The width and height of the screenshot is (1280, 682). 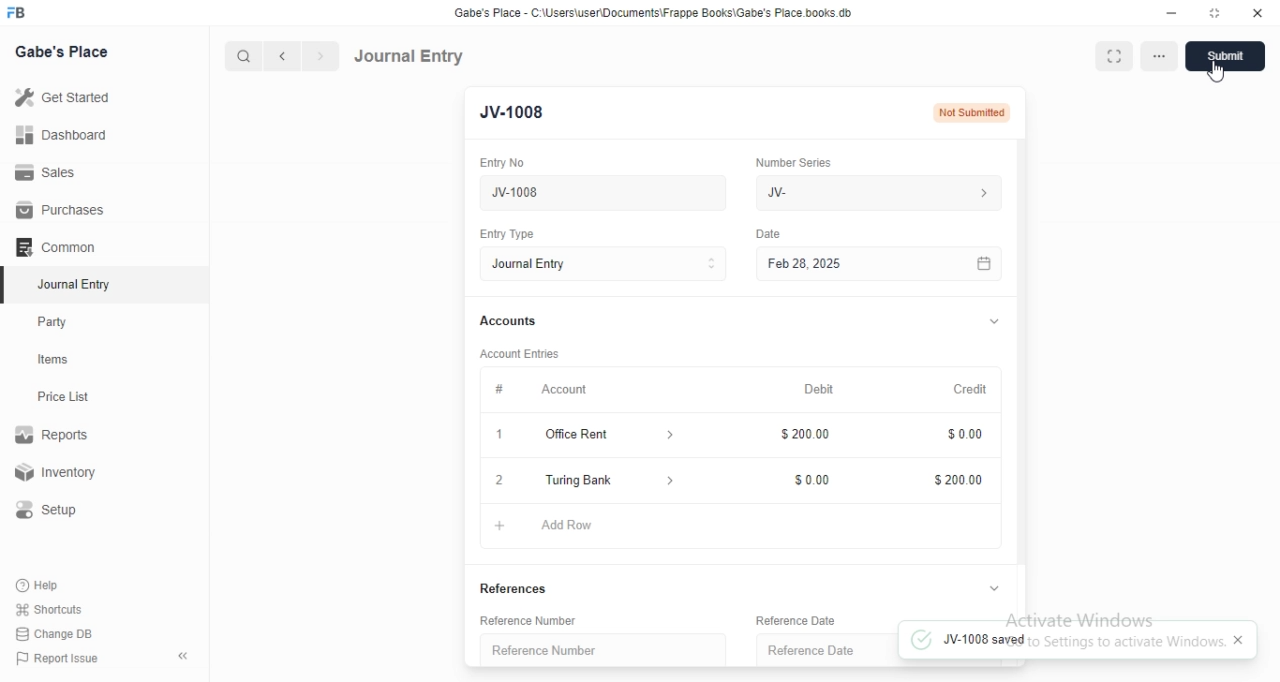 I want to click on Not submitted, so click(x=973, y=113).